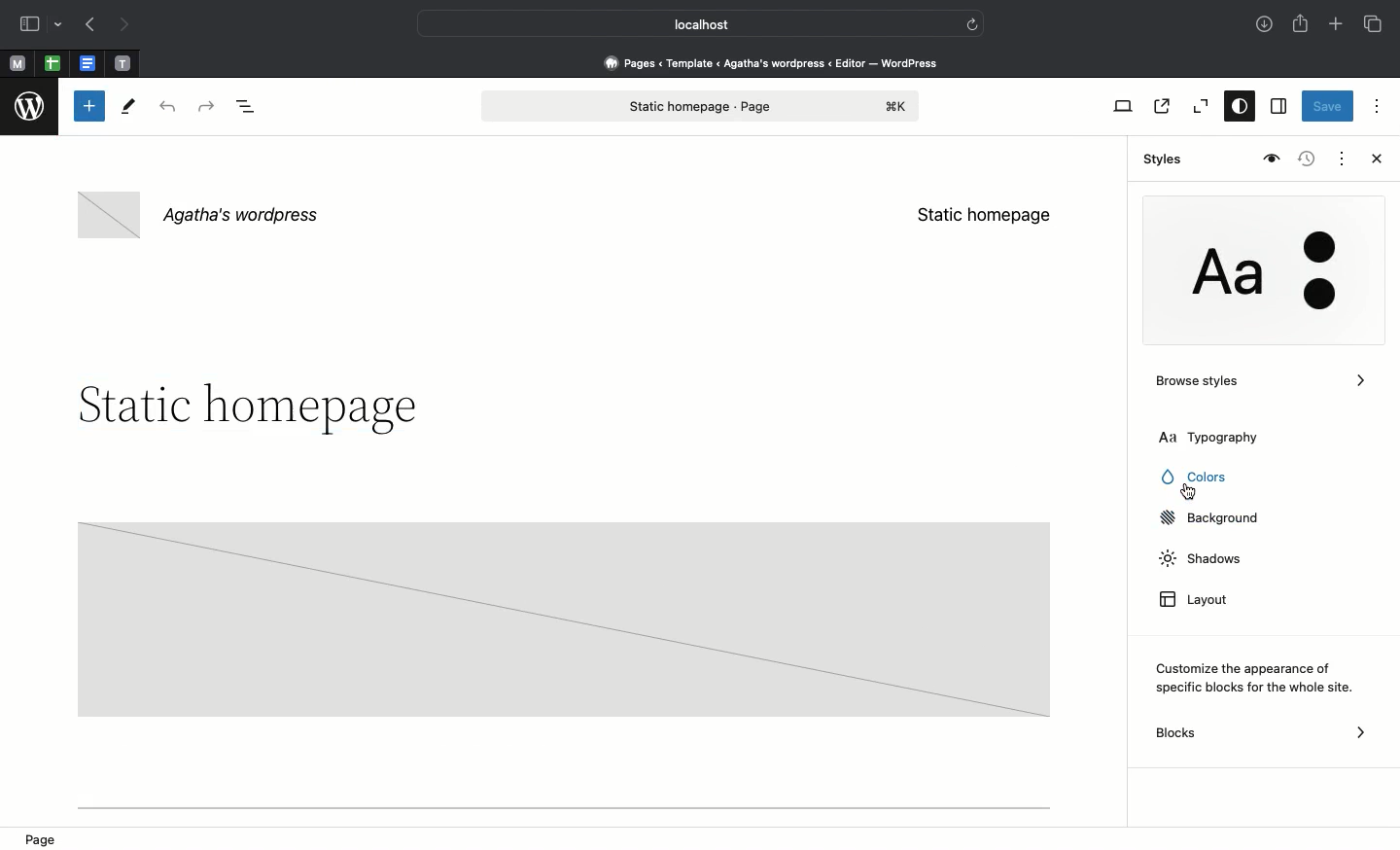 The height and width of the screenshot is (850, 1400). What do you see at coordinates (124, 25) in the screenshot?
I see `Next page` at bounding box center [124, 25].